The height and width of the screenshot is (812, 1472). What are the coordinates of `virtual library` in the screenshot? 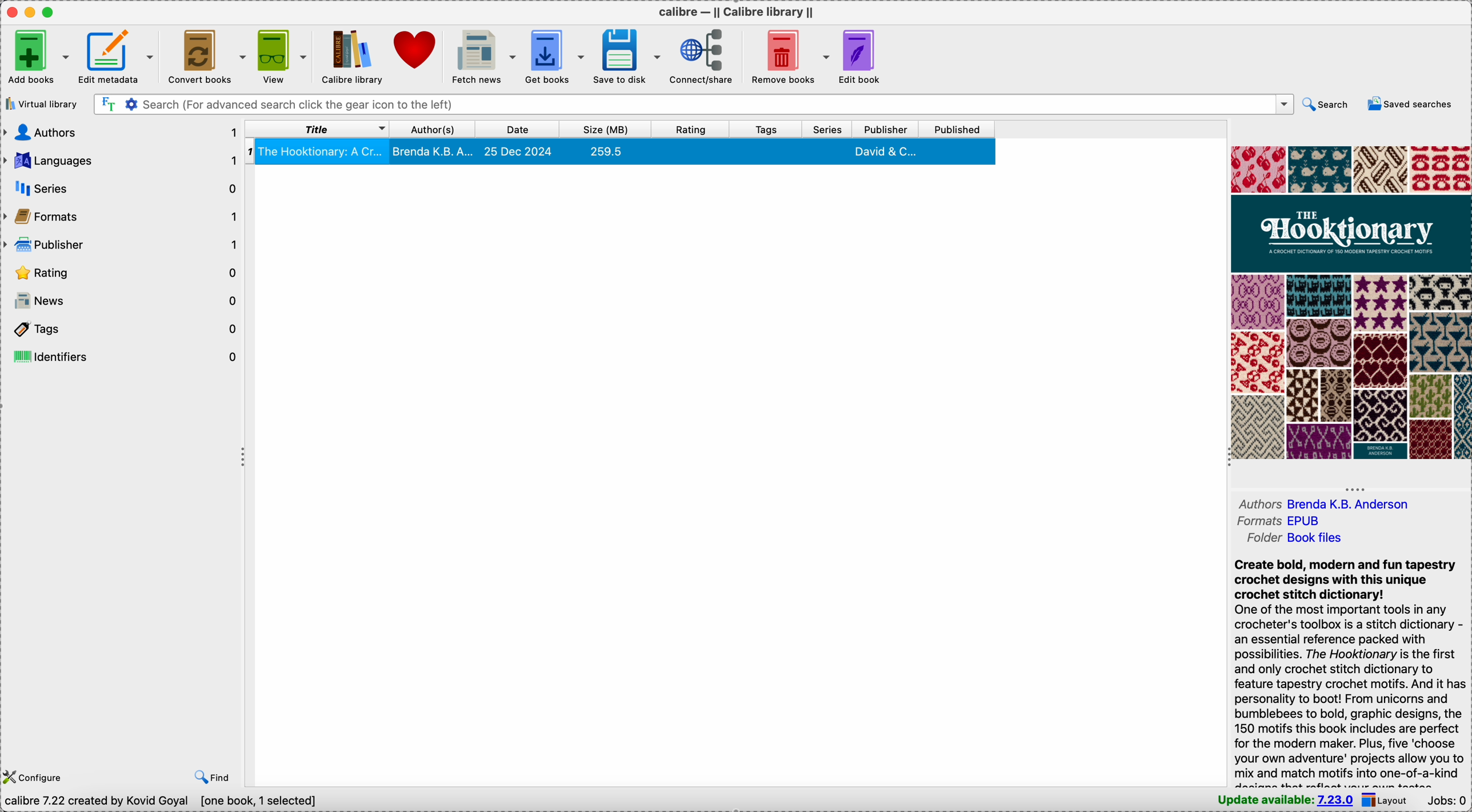 It's located at (41, 105).